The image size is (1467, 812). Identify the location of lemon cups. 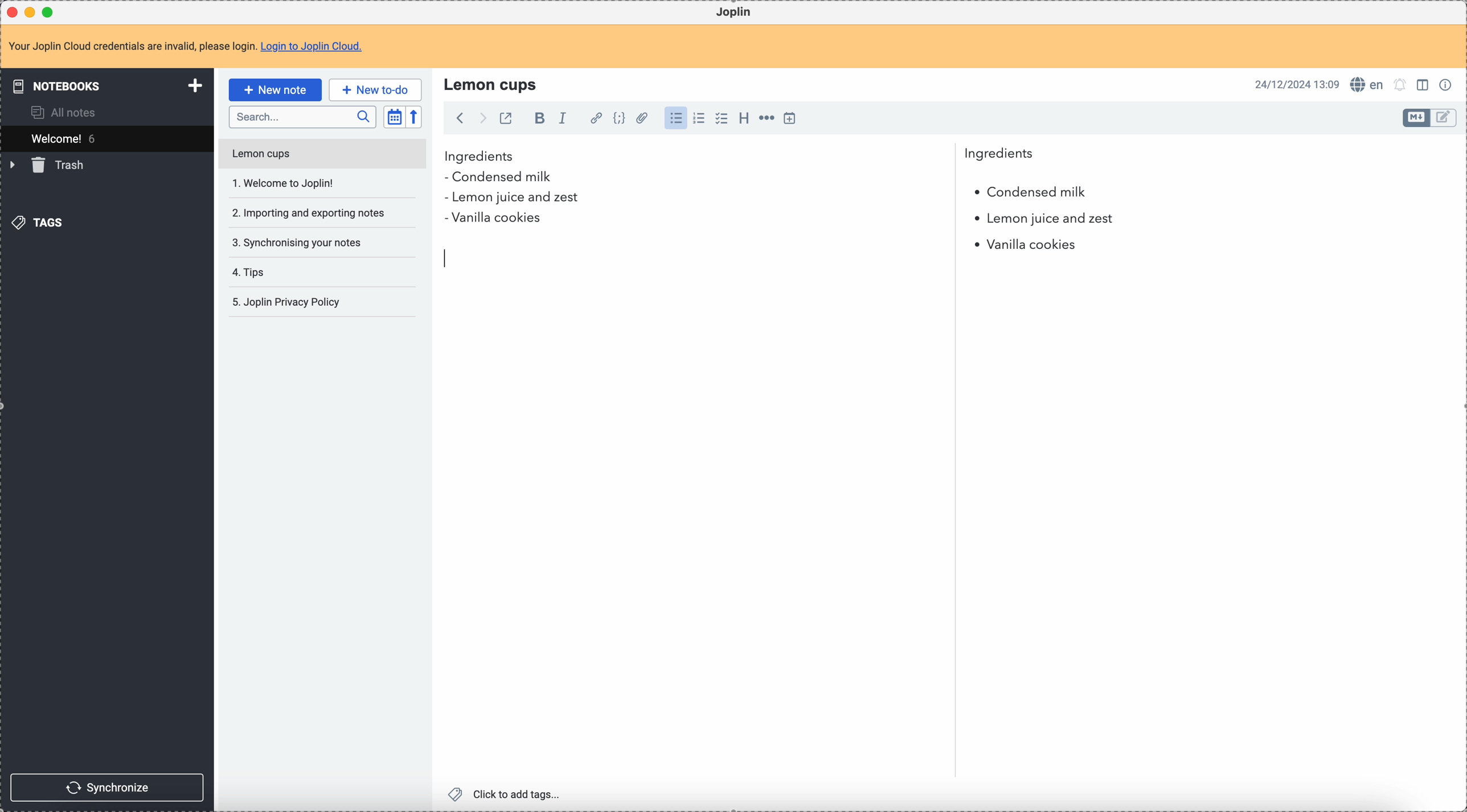
(321, 156).